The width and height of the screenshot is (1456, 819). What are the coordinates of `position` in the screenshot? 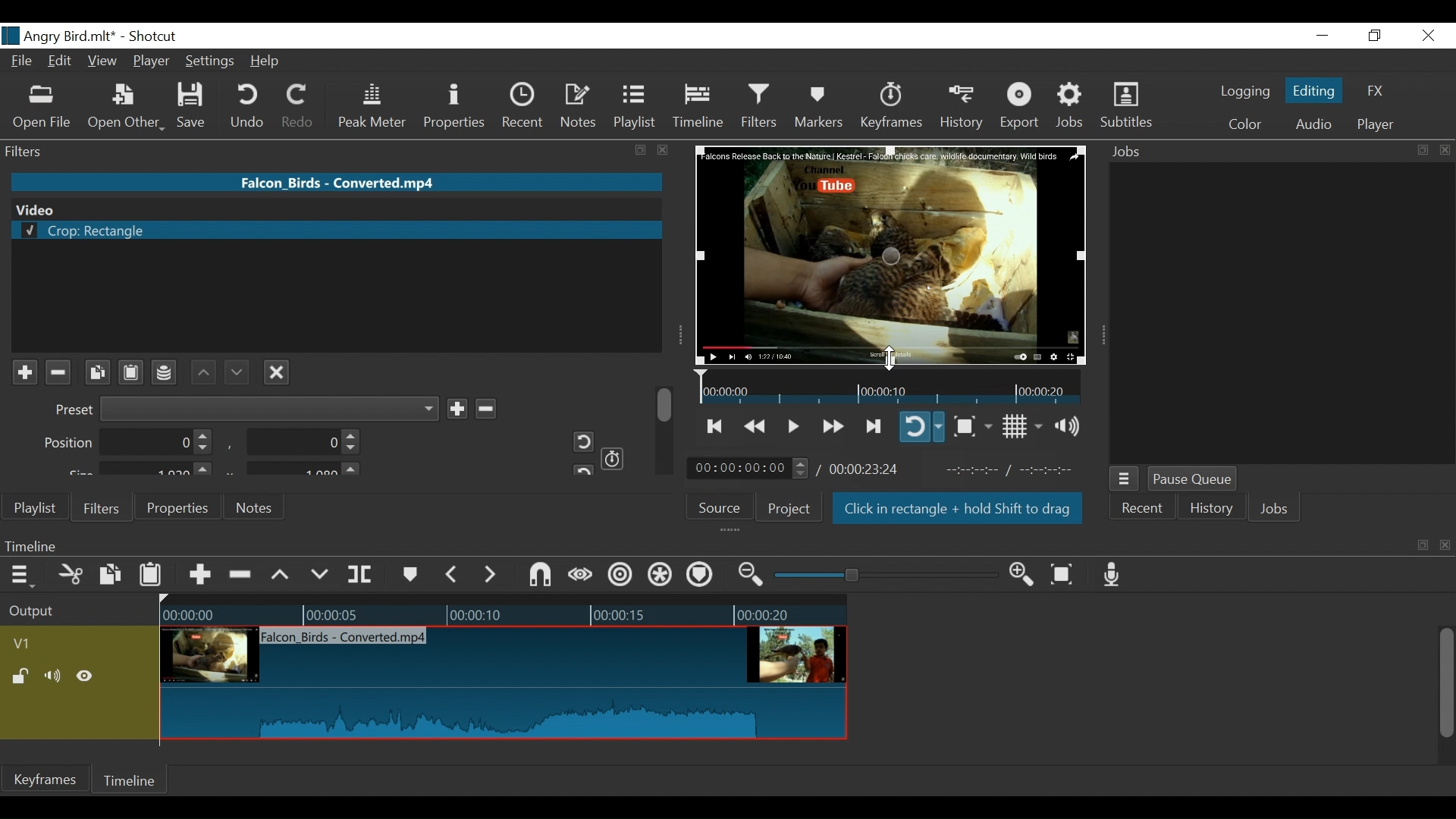 It's located at (129, 443).